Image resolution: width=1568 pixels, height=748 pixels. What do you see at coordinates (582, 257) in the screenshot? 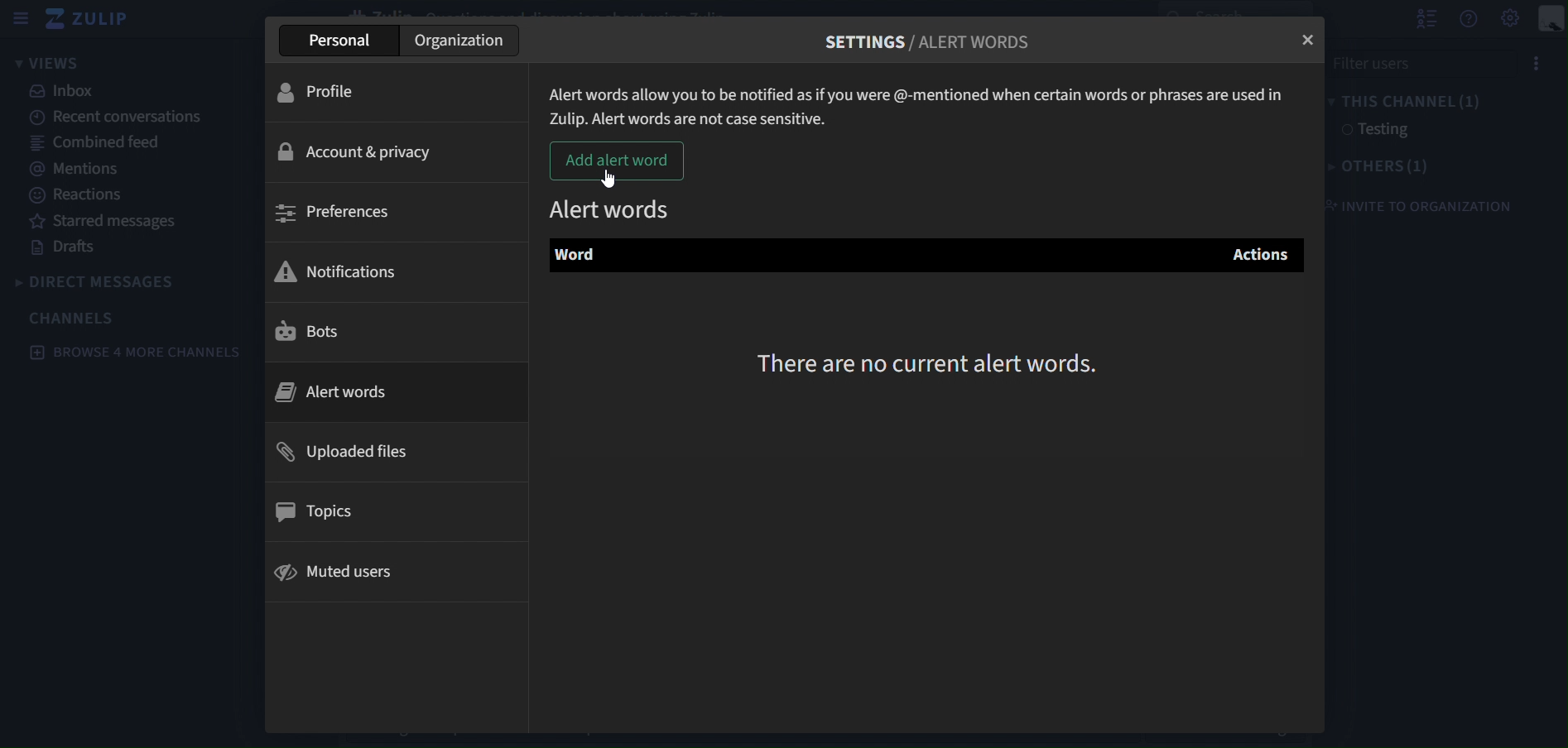
I see `Word` at bounding box center [582, 257].